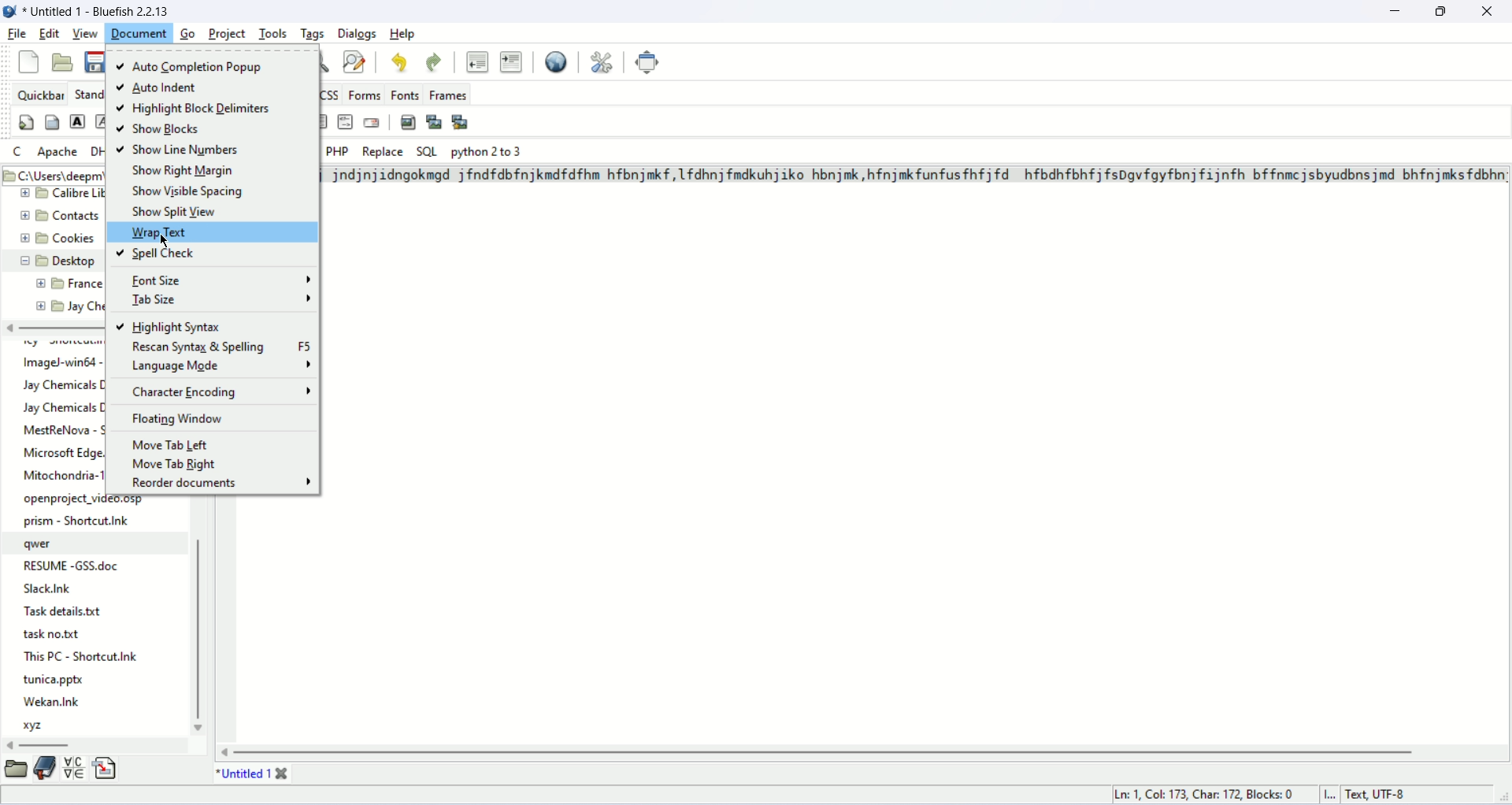  Describe the element at coordinates (80, 655) in the screenshot. I see `This PC - Shortcut.Ink` at that location.